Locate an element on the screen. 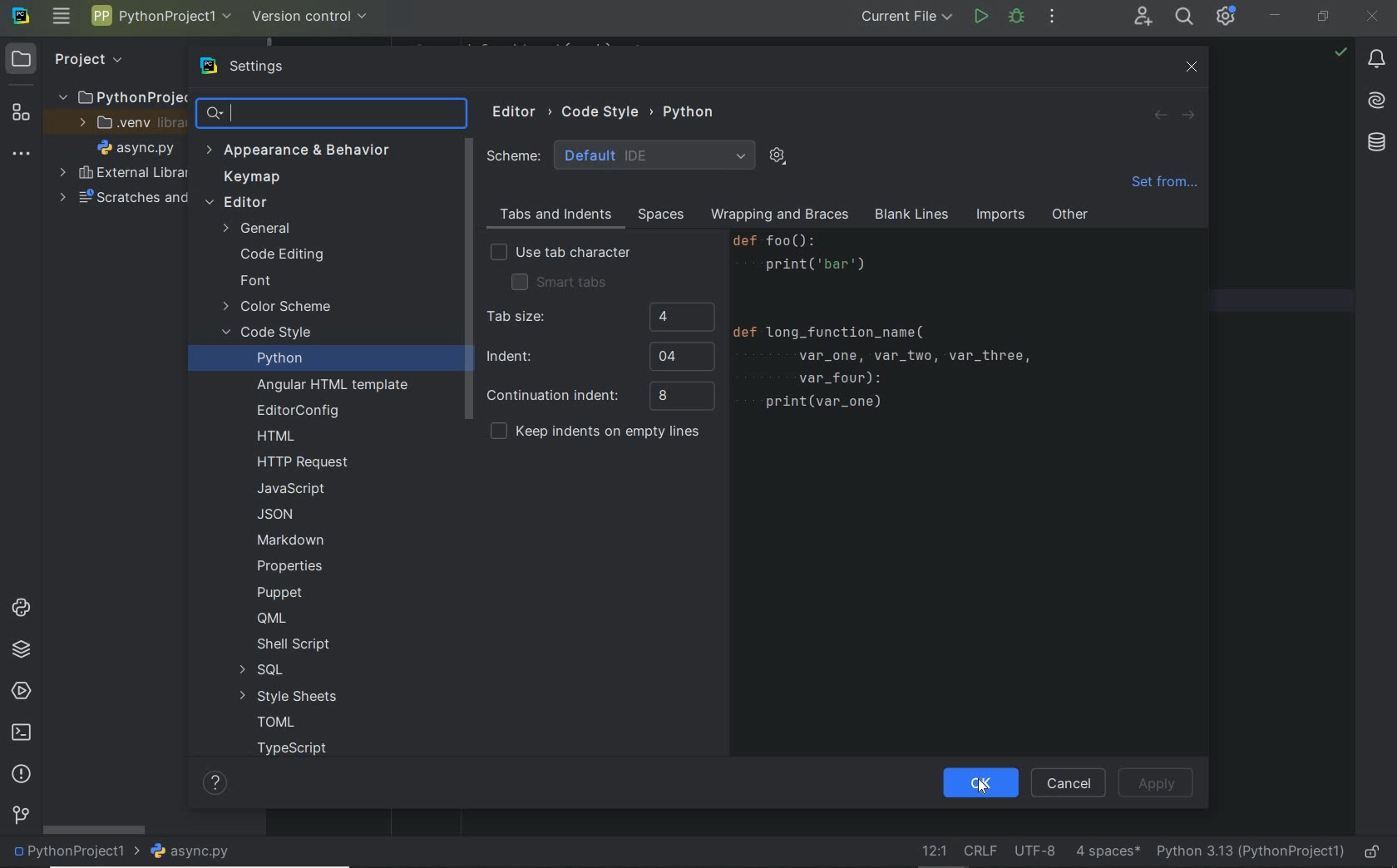 Image resolution: width=1397 pixels, height=868 pixels. STYLE SHEETS is located at coordinates (289, 696).